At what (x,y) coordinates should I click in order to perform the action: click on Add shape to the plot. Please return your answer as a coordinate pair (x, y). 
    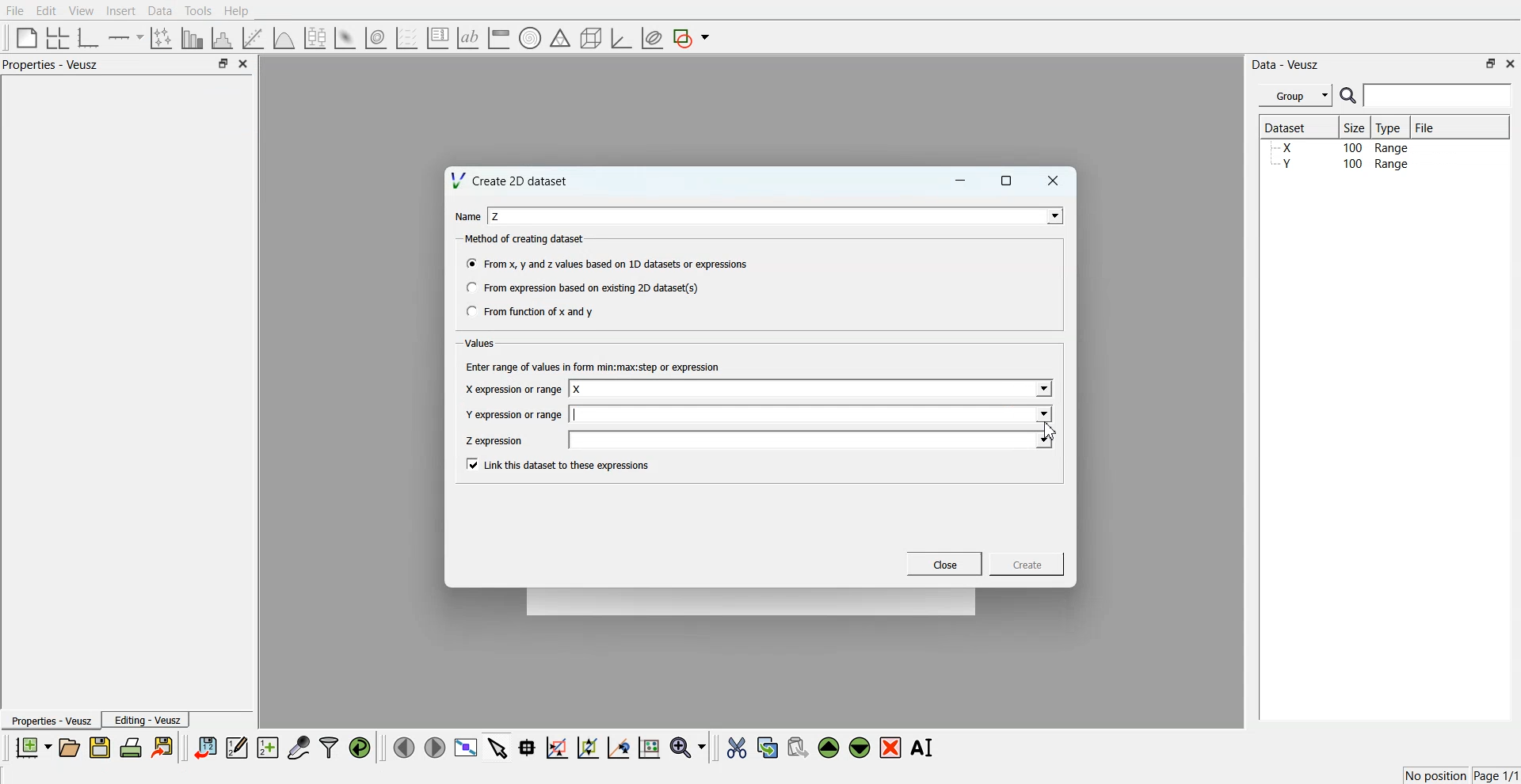
    Looking at the image, I should click on (691, 38).